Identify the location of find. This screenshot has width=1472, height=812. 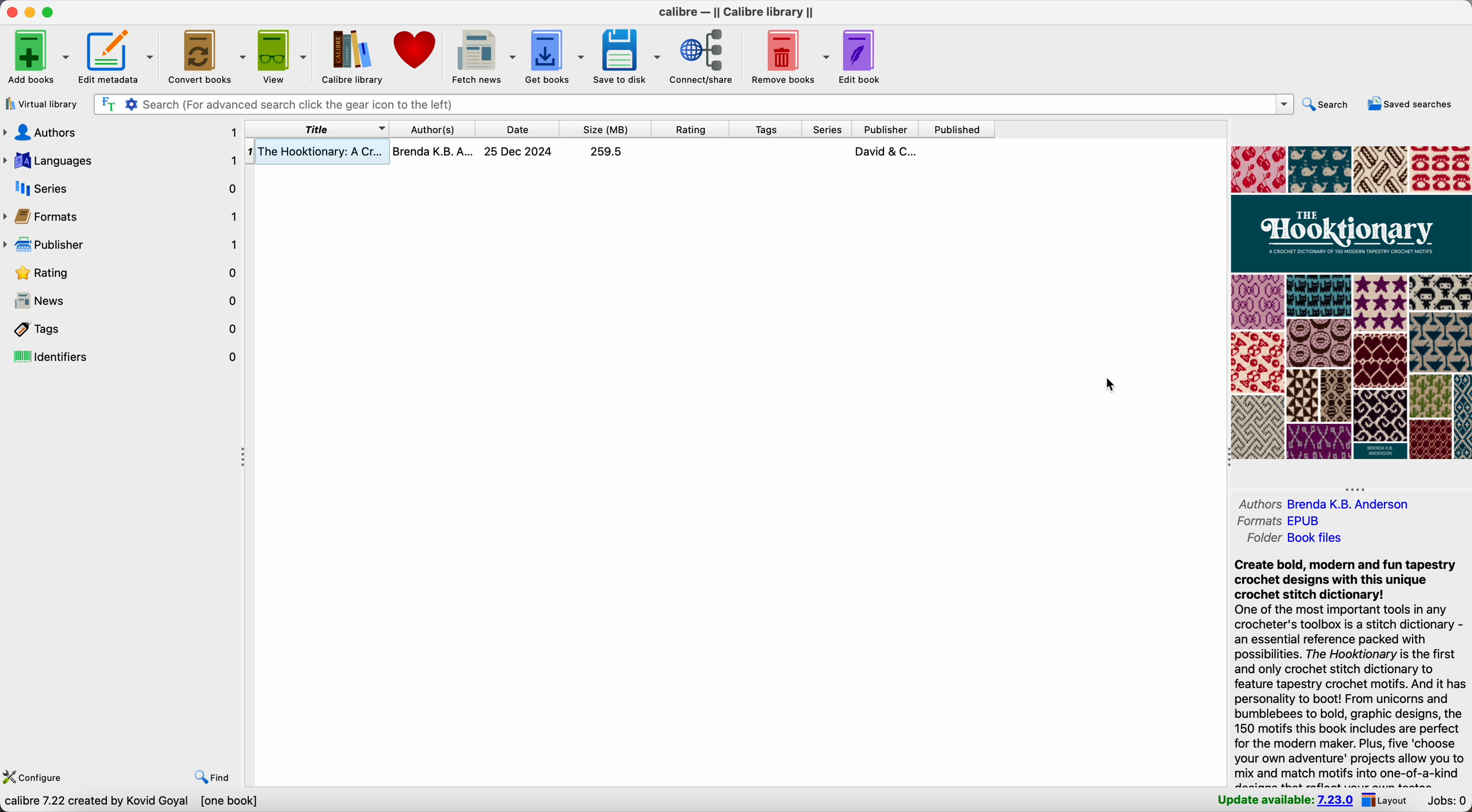
(211, 778).